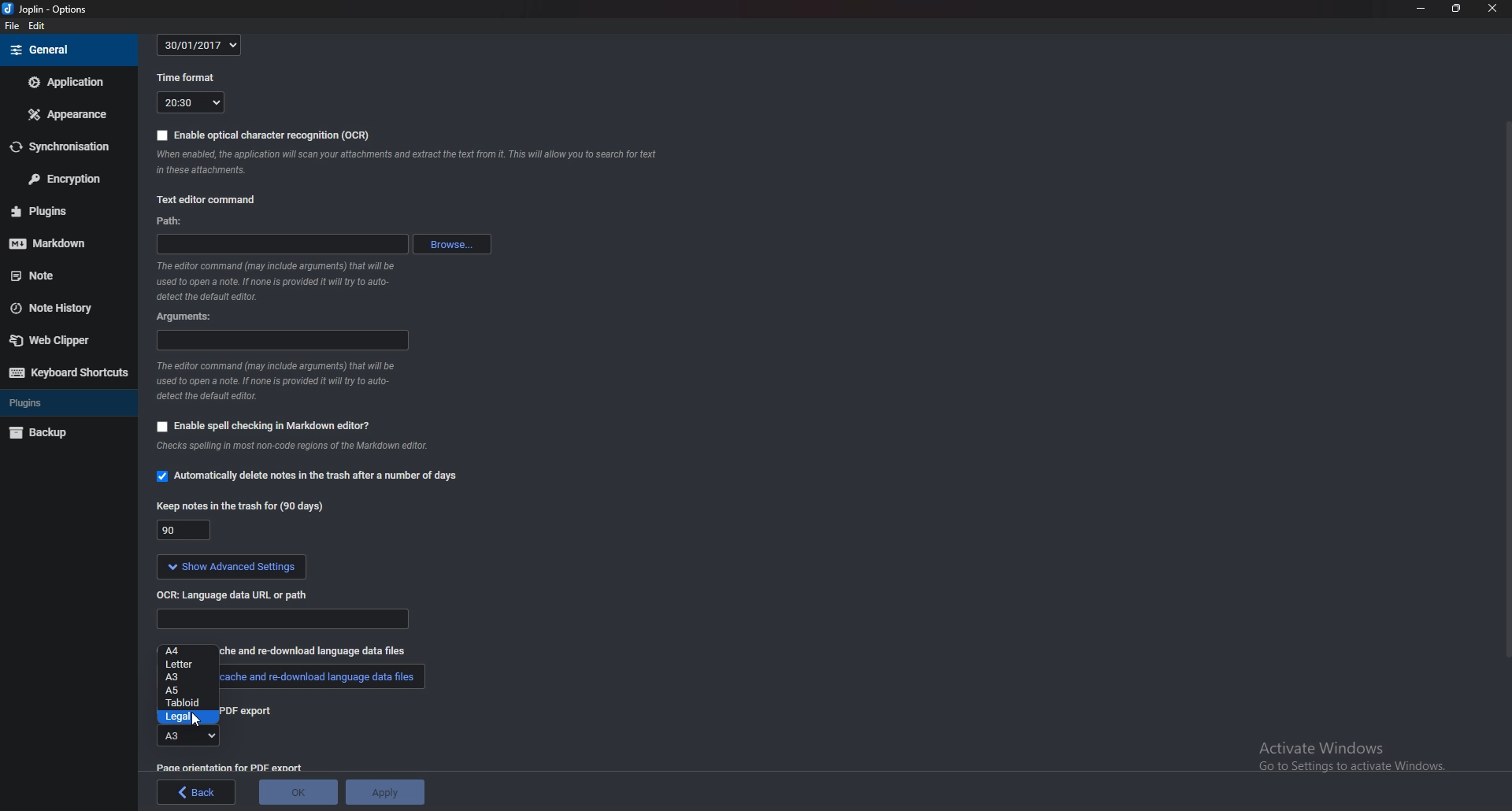 This screenshot has height=811, width=1512. What do you see at coordinates (186, 317) in the screenshot?
I see `Arguments` at bounding box center [186, 317].